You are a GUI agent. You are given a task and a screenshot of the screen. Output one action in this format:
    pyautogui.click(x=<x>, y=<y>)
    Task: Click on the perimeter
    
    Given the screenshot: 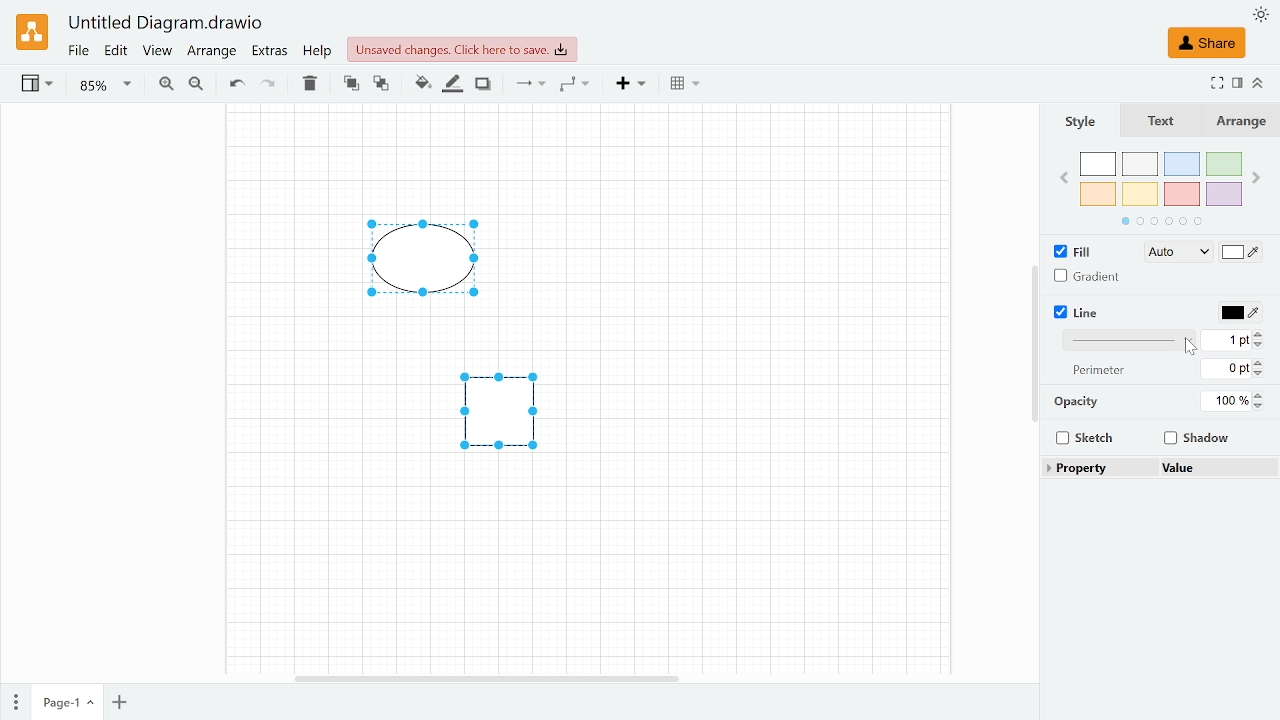 What is the action you would take?
    pyautogui.click(x=1099, y=370)
    